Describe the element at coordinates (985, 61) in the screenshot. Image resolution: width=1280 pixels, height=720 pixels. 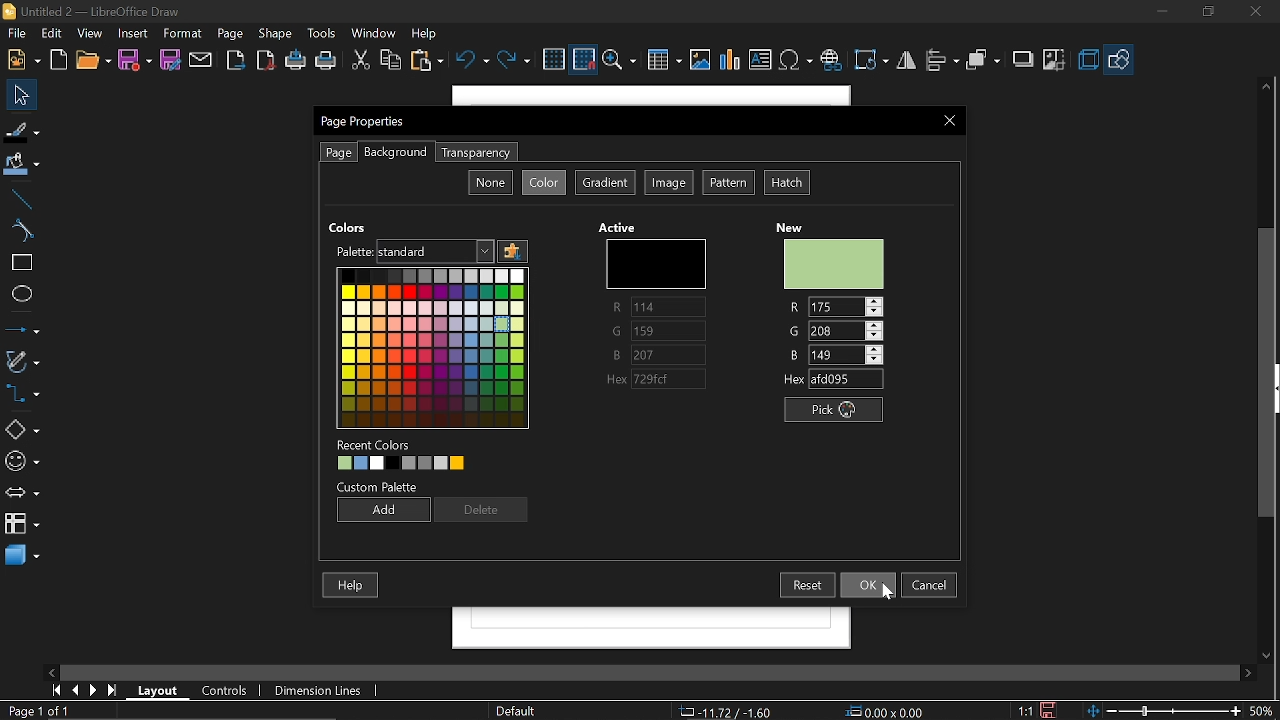
I see `arrange` at that location.